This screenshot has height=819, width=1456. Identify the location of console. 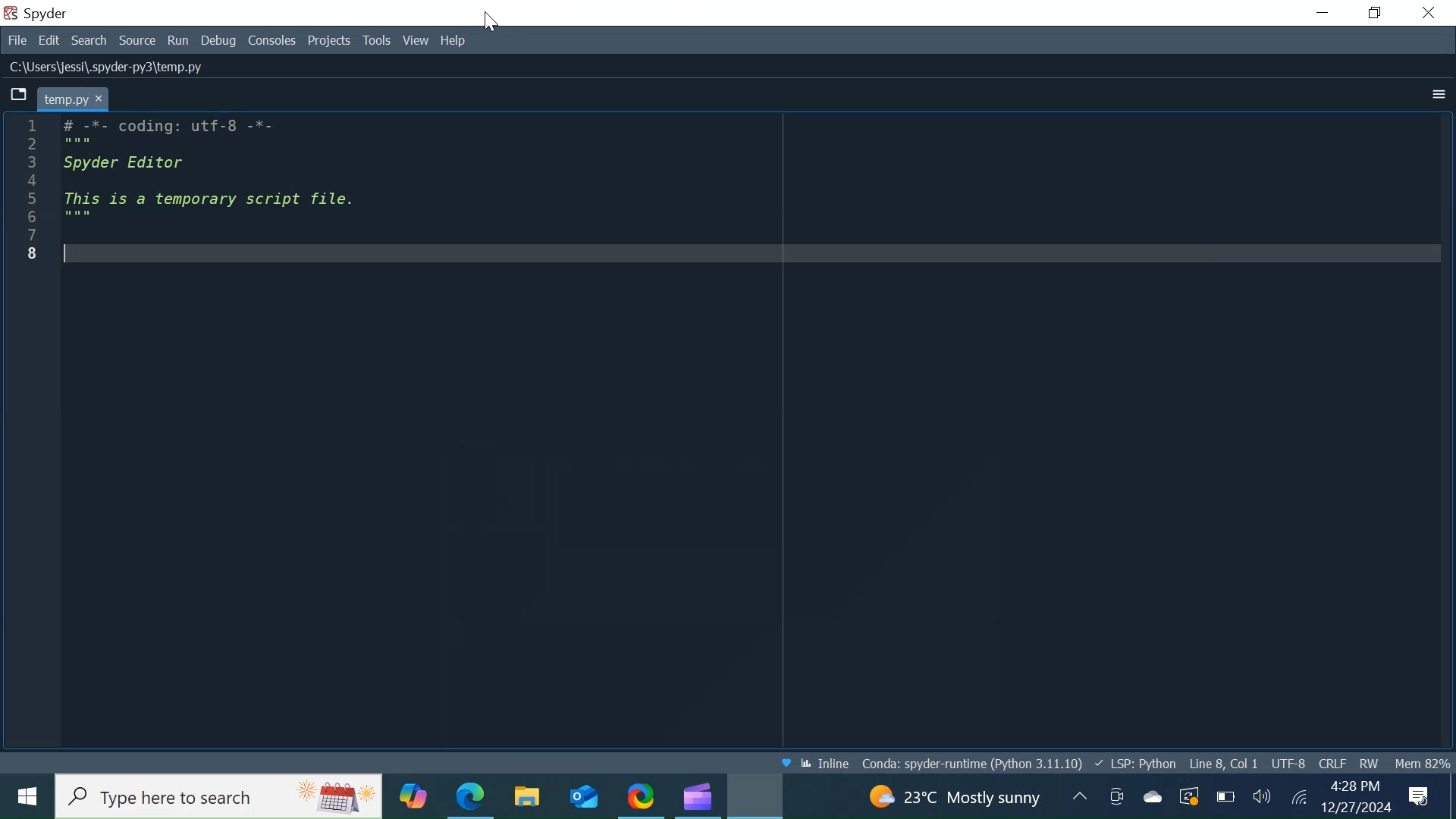
(271, 40).